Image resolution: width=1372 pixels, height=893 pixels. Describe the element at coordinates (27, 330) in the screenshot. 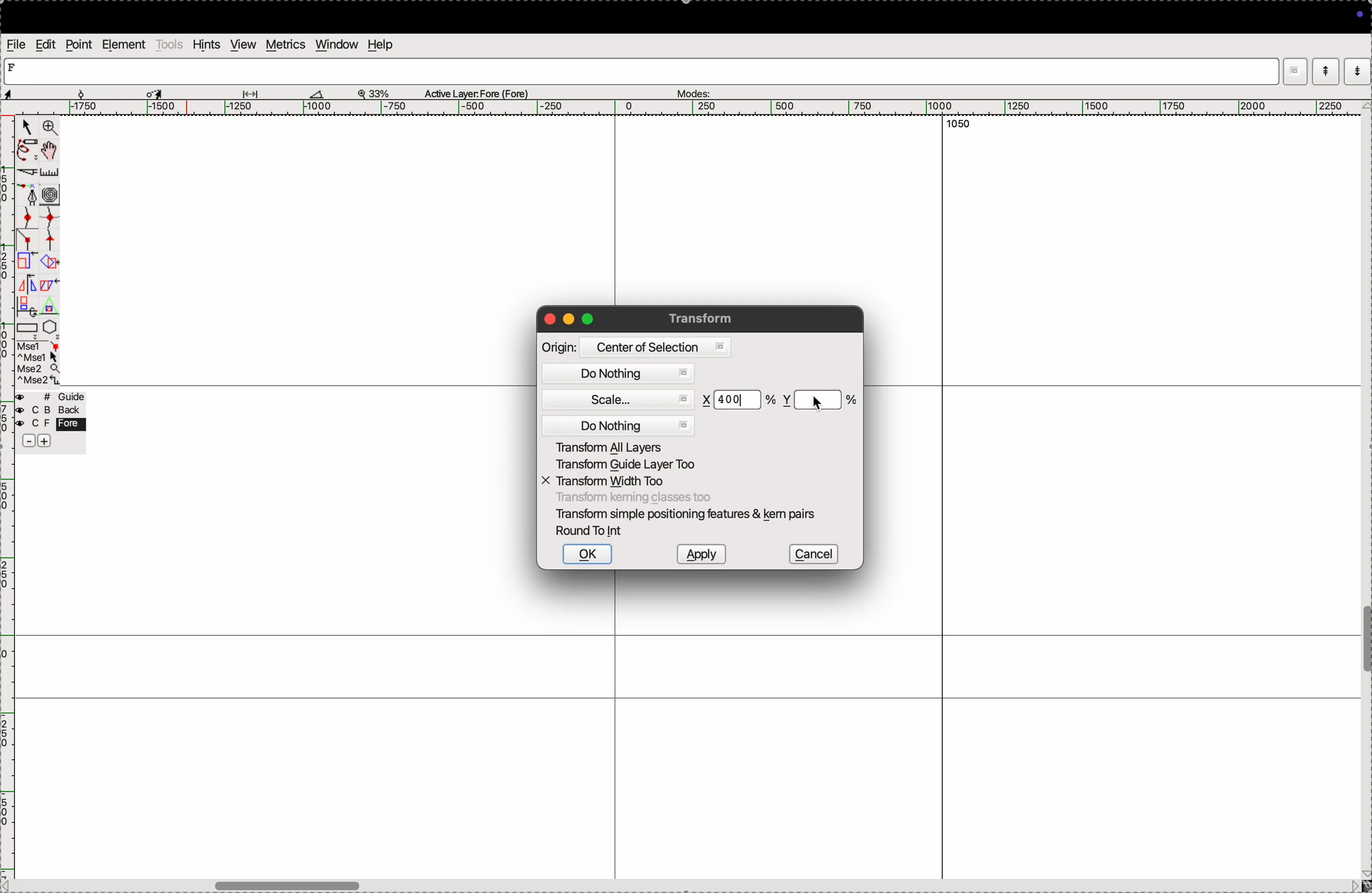

I see `rectangle` at that location.